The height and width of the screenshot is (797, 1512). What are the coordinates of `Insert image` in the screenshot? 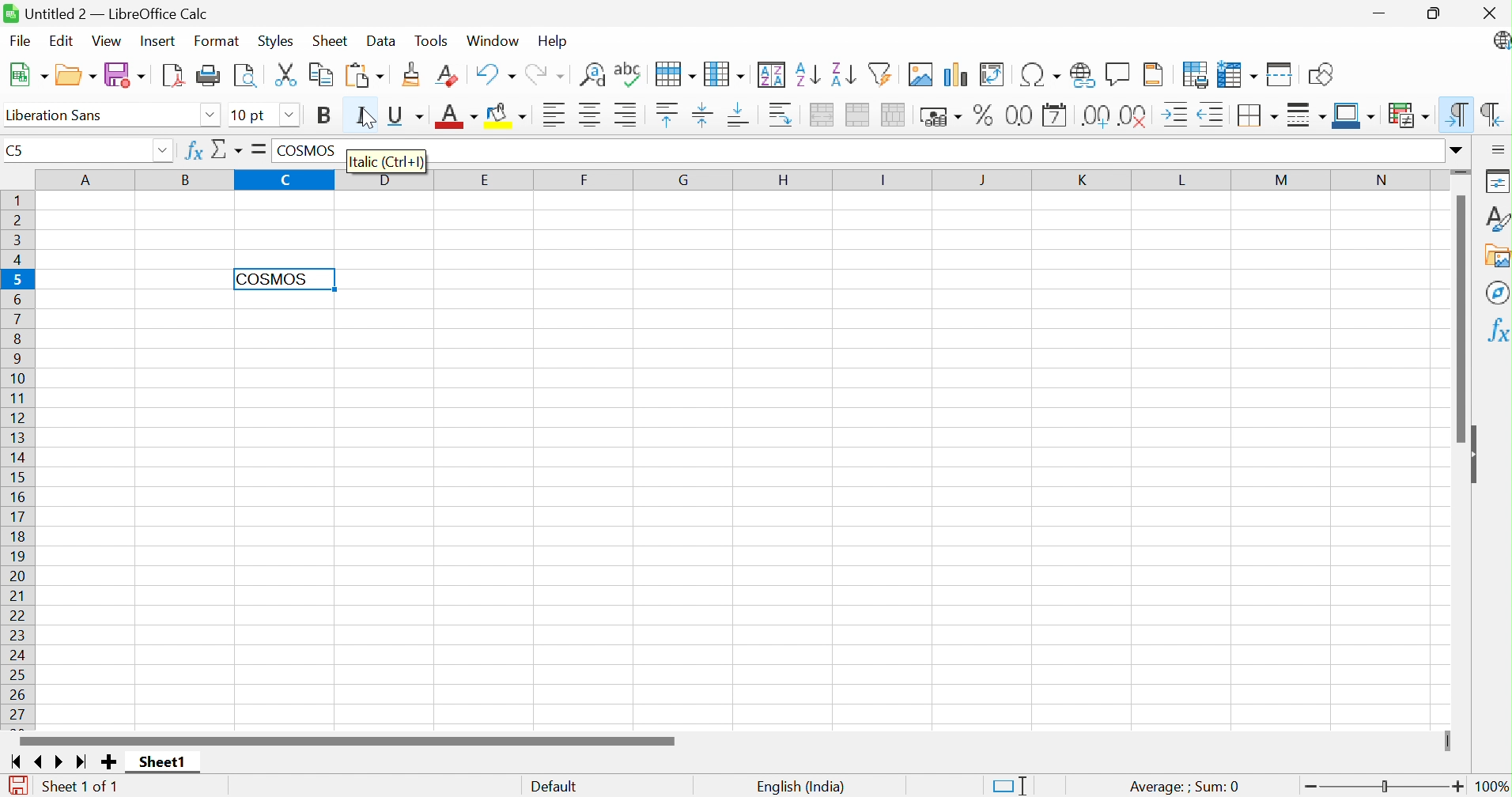 It's located at (920, 74).